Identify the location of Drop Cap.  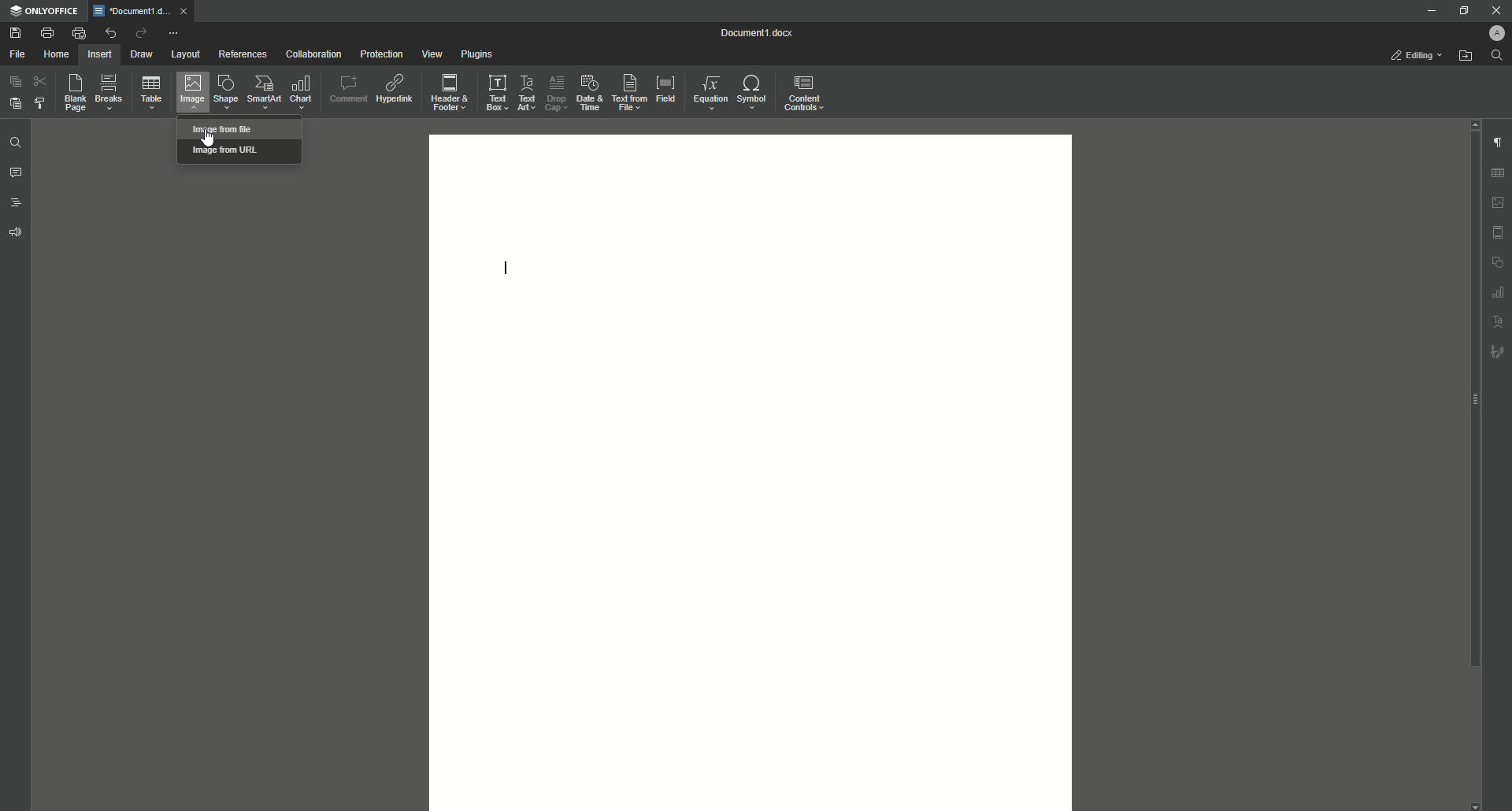
(557, 92).